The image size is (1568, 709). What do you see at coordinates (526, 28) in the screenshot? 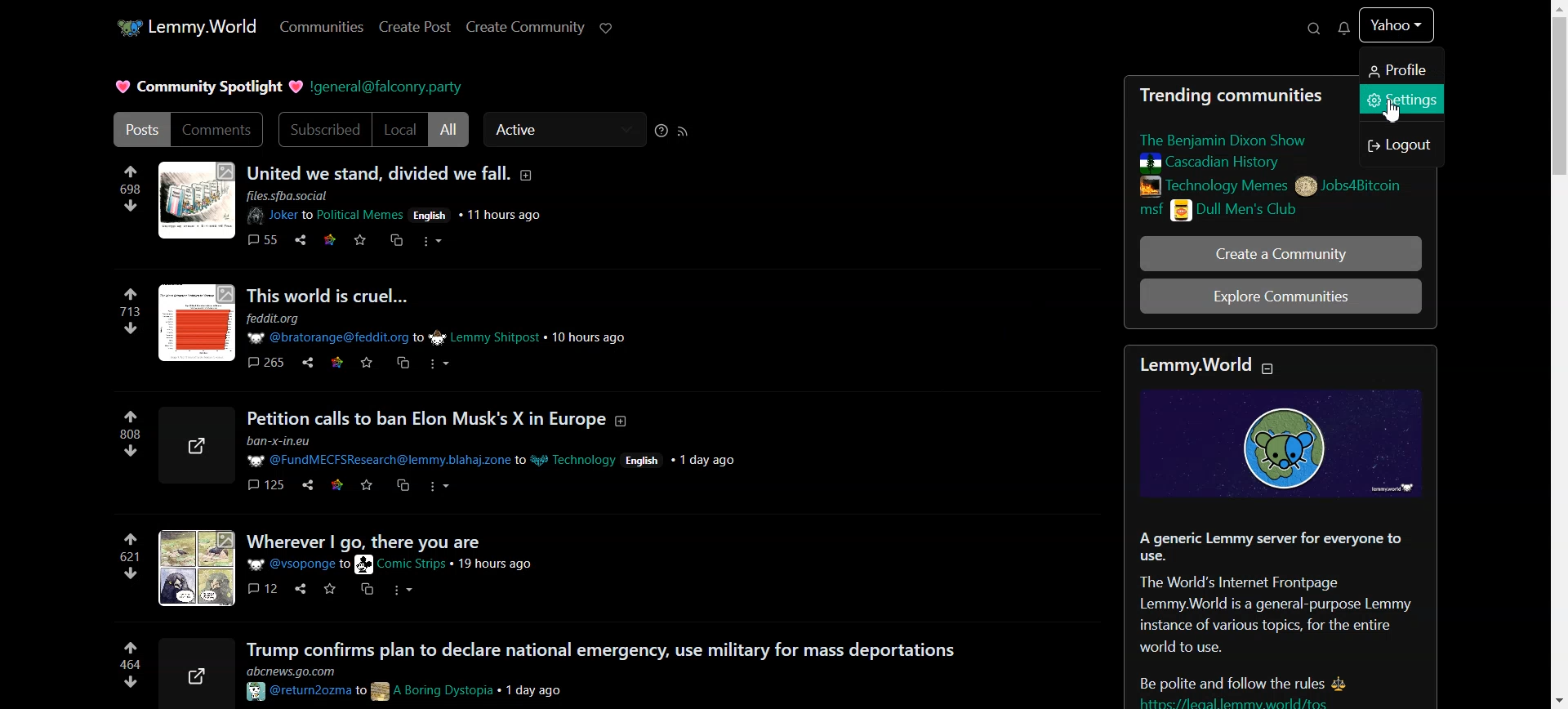
I see `Create Community` at bounding box center [526, 28].